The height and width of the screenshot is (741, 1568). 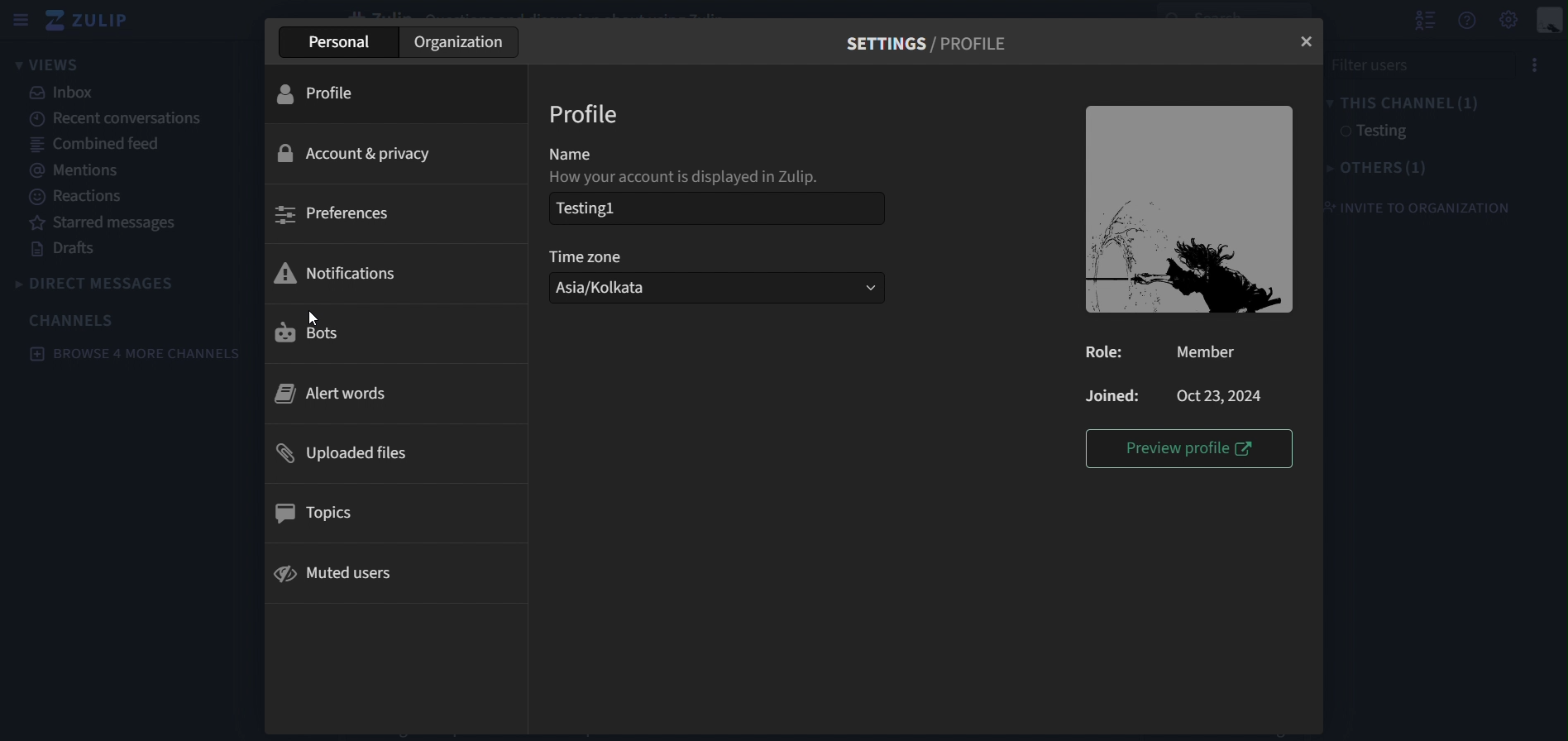 I want to click on Time zone, so click(x=591, y=256).